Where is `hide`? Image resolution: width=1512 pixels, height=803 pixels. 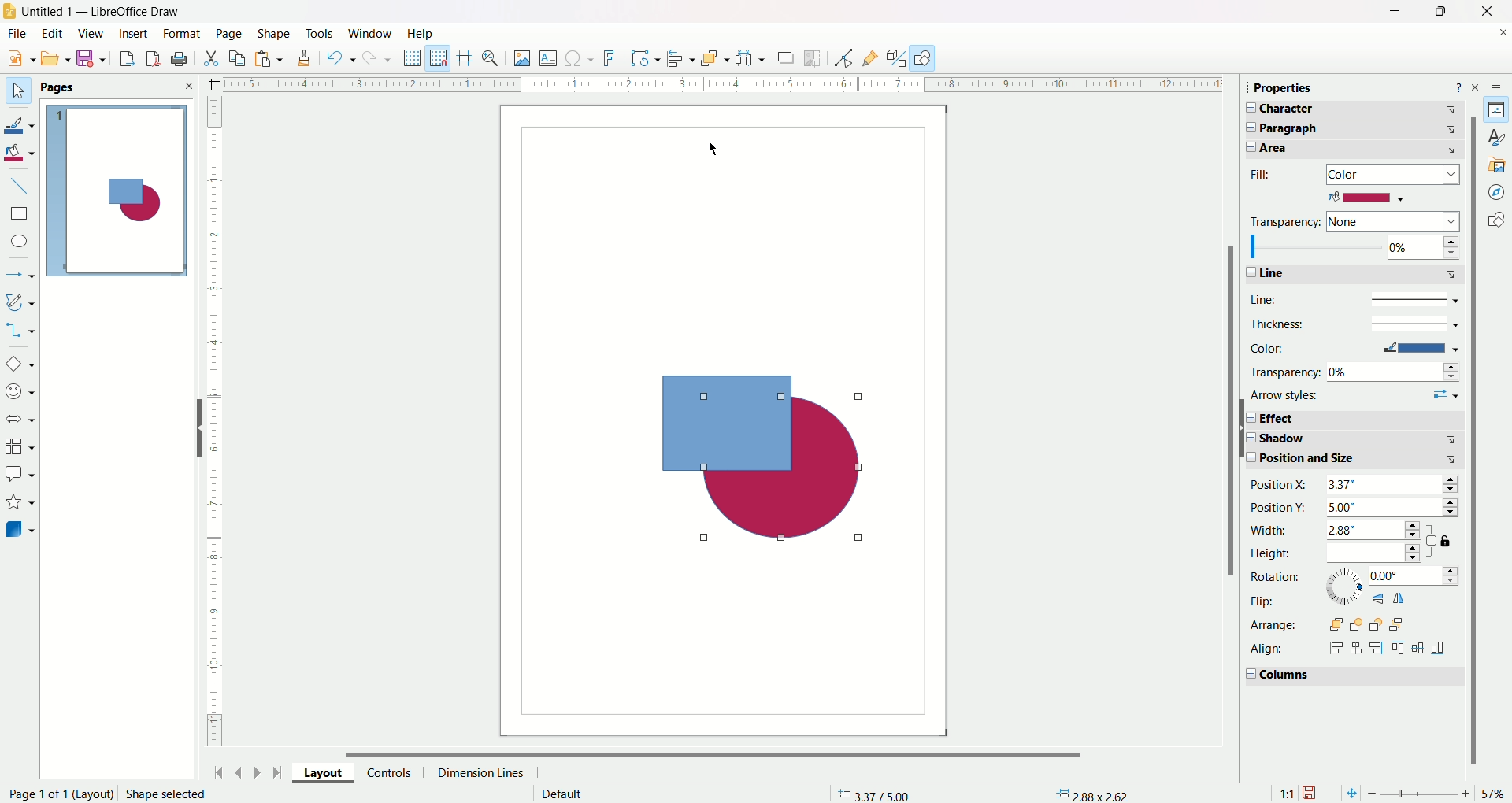
hide is located at coordinates (198, 429).